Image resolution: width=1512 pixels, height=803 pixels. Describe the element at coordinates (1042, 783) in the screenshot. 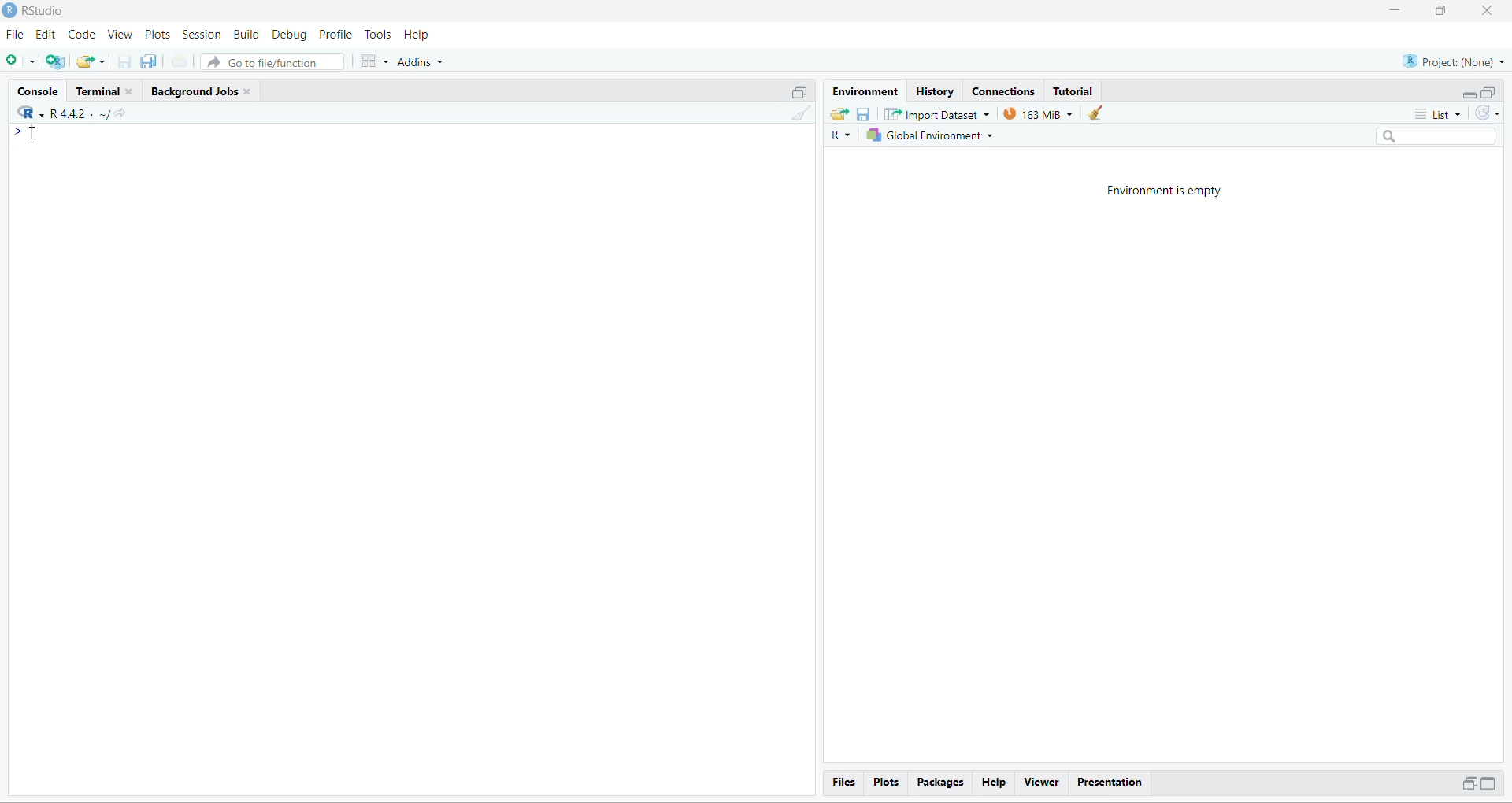

I see `Viewer` at that location.